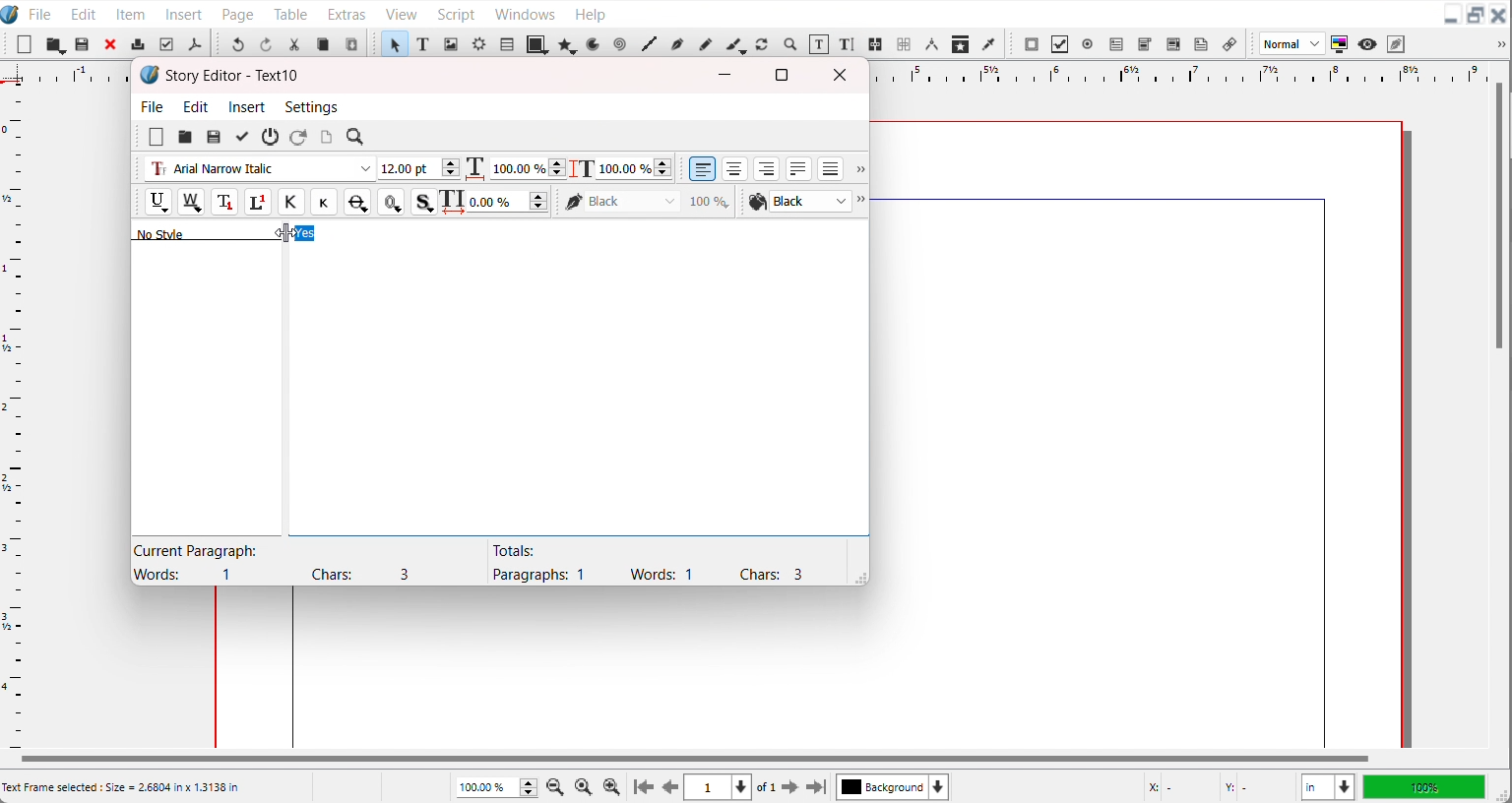 The height and width of the screenshot is (803, 1512). What do you see at coordinates (506, 43) in the screenshot?
I see `Table` at bounding box center [506, 43].